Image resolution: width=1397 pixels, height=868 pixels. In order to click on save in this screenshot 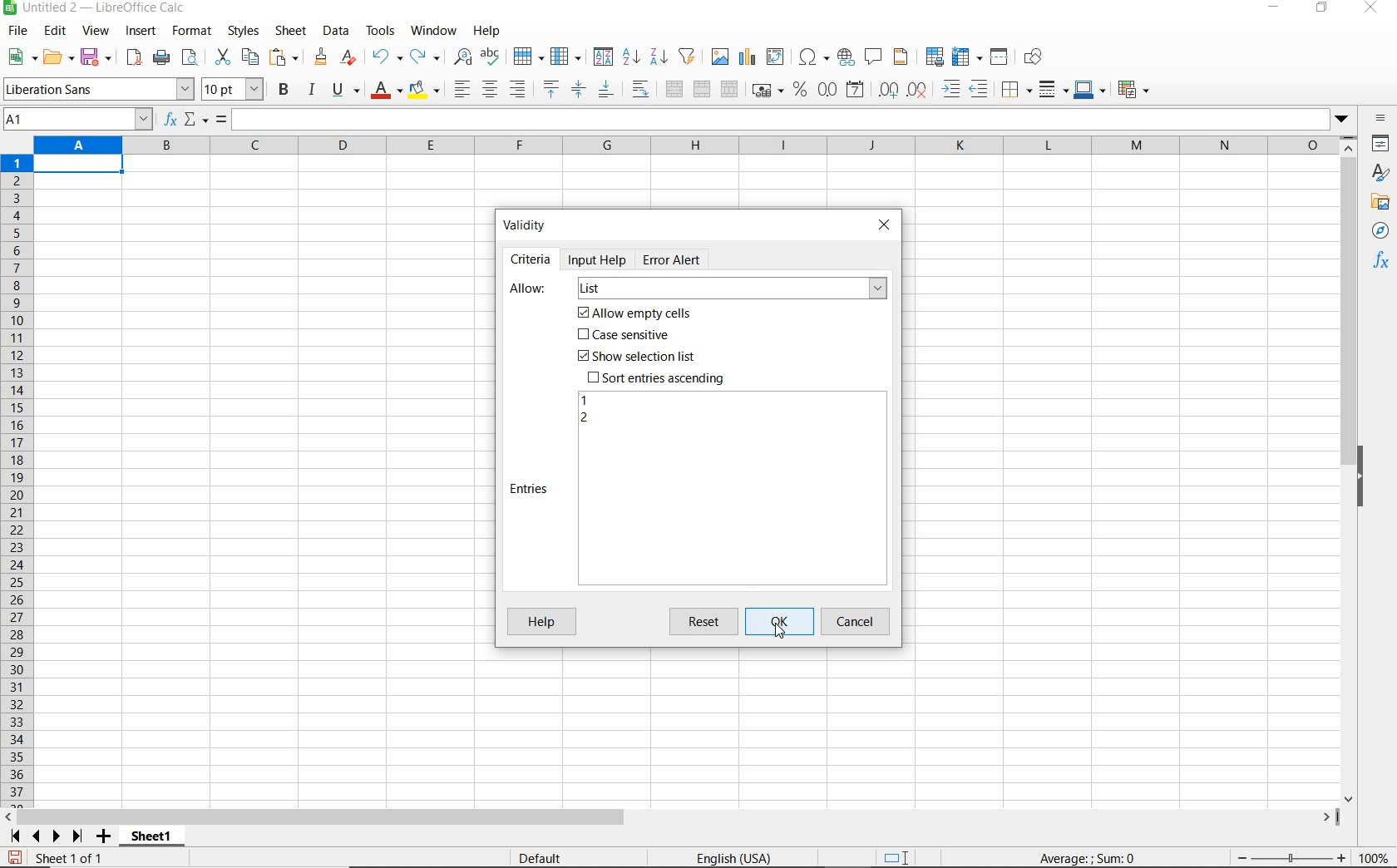, I will do `click(97, 57)`.